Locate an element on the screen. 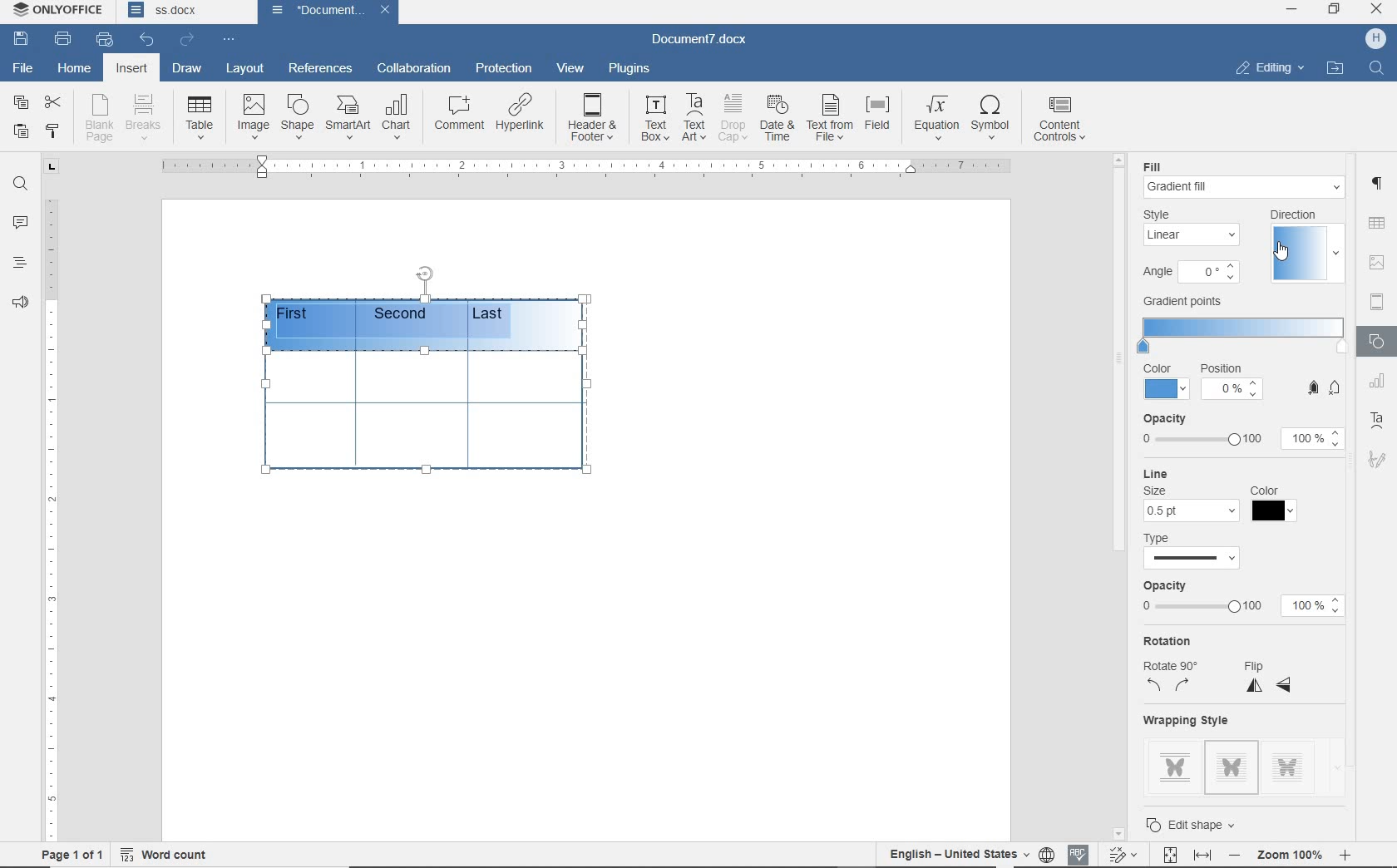  0.5 pt is located at coordinates (1195, 510).